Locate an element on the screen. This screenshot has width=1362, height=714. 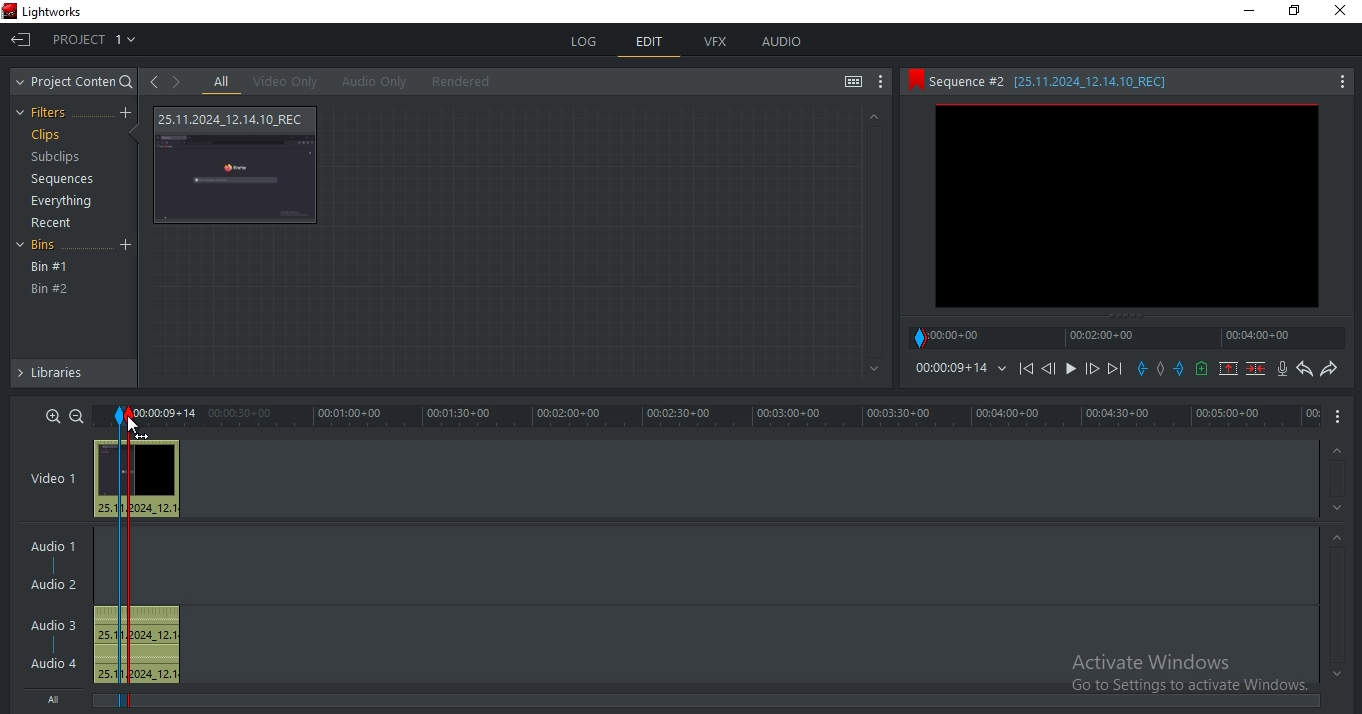
show settings menu is located at coordinates (882, 84).